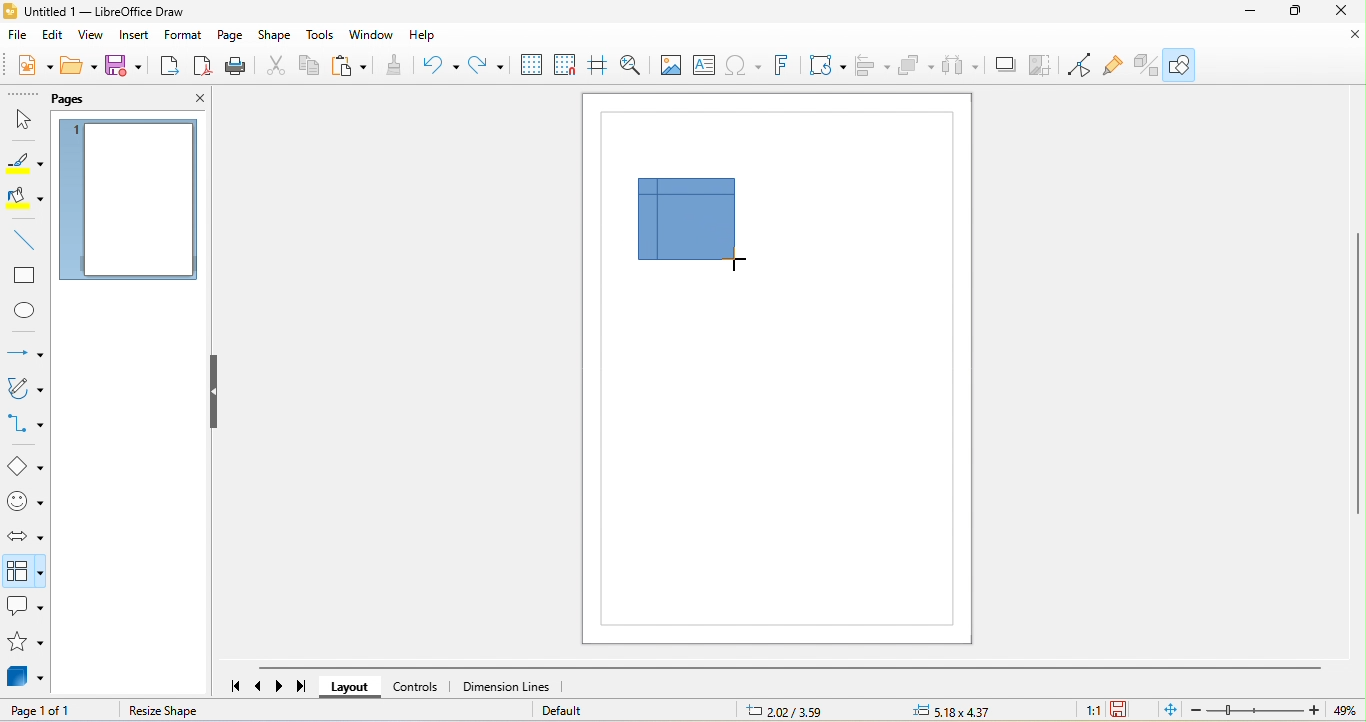  Describe the element at coordinates (28, 679) in the screenshot. I see `3d object` at that location.